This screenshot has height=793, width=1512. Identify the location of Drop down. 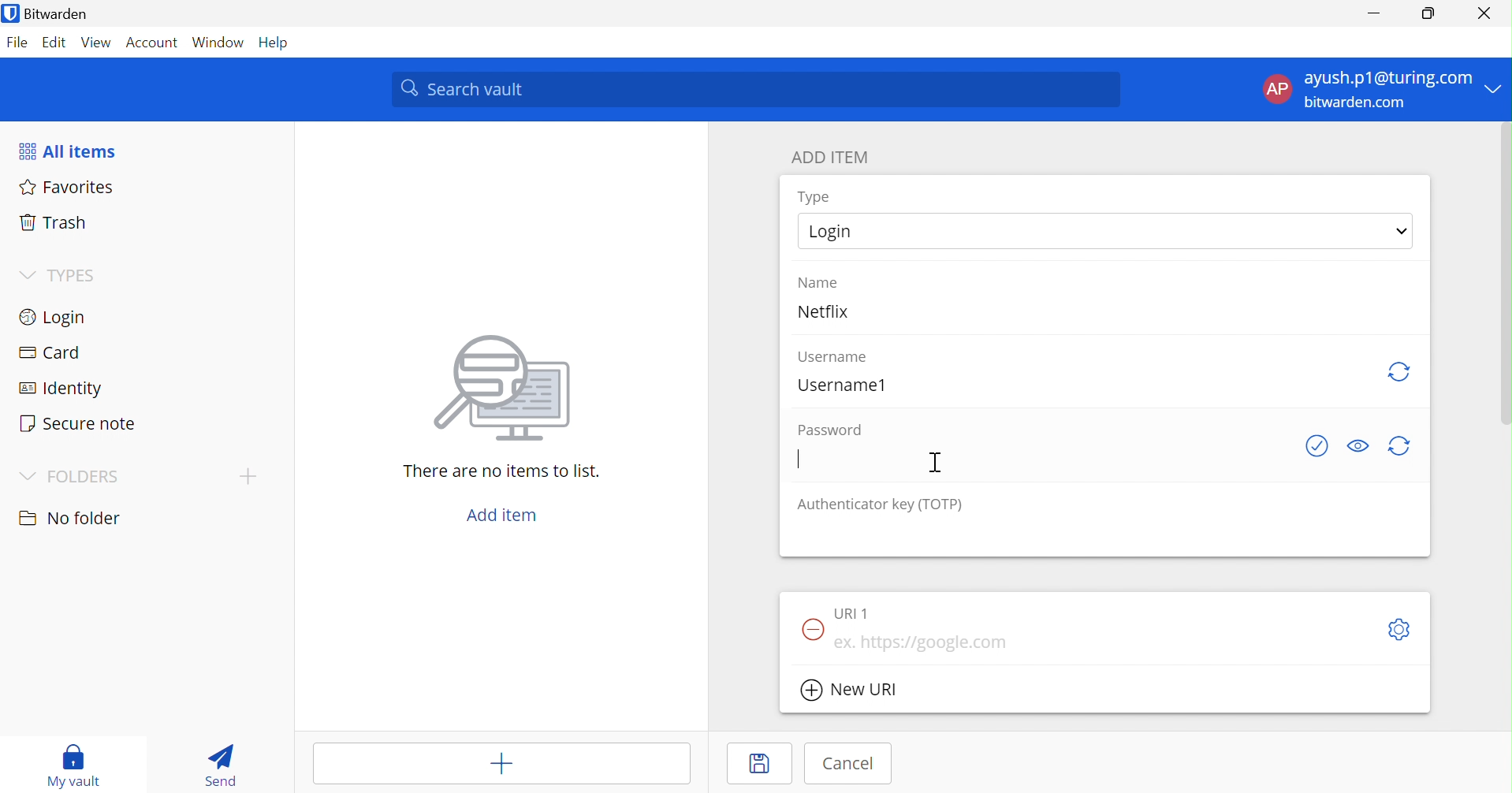
(1495, 87).